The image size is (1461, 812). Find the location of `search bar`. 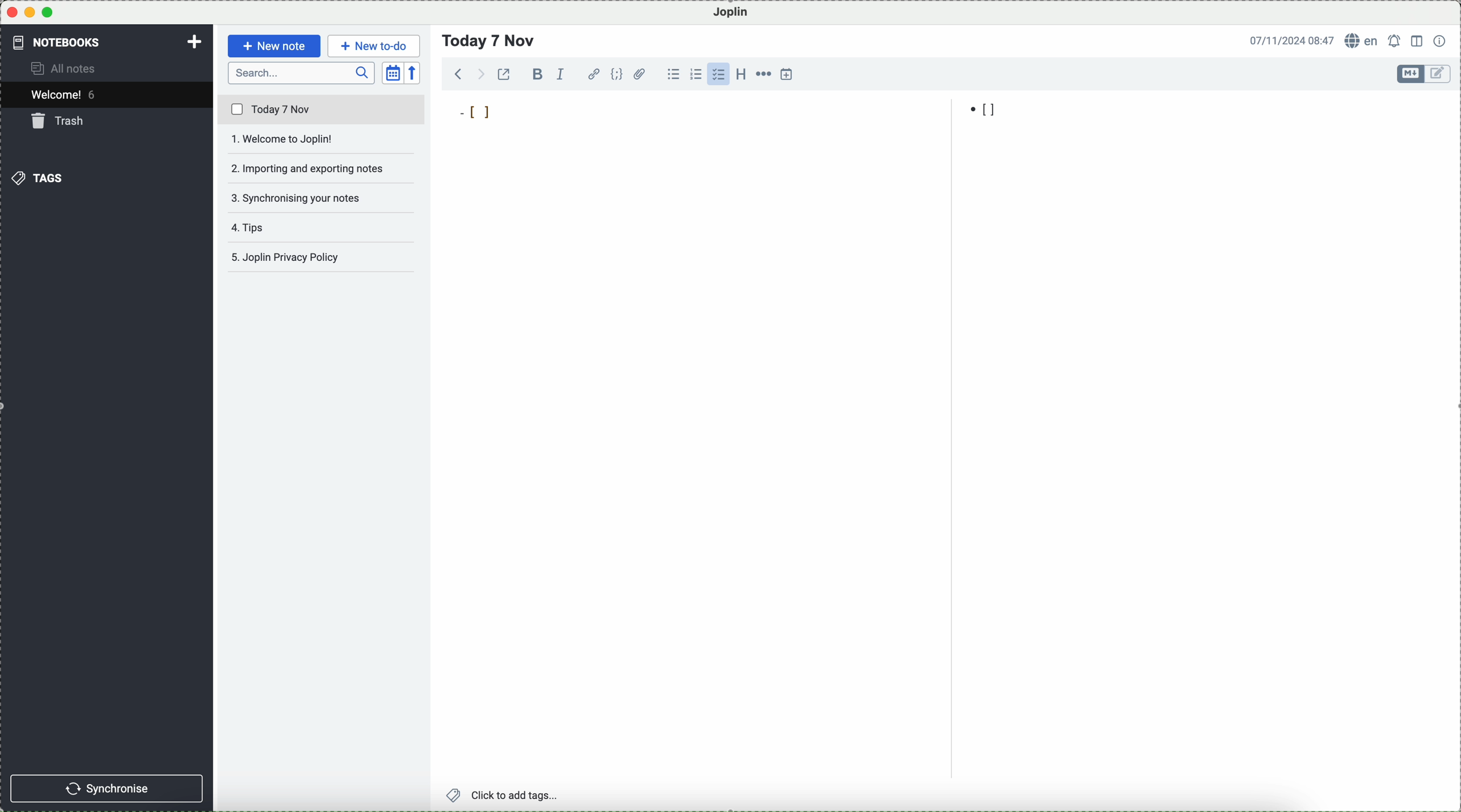

search bar is located at coordinates (302, 73).